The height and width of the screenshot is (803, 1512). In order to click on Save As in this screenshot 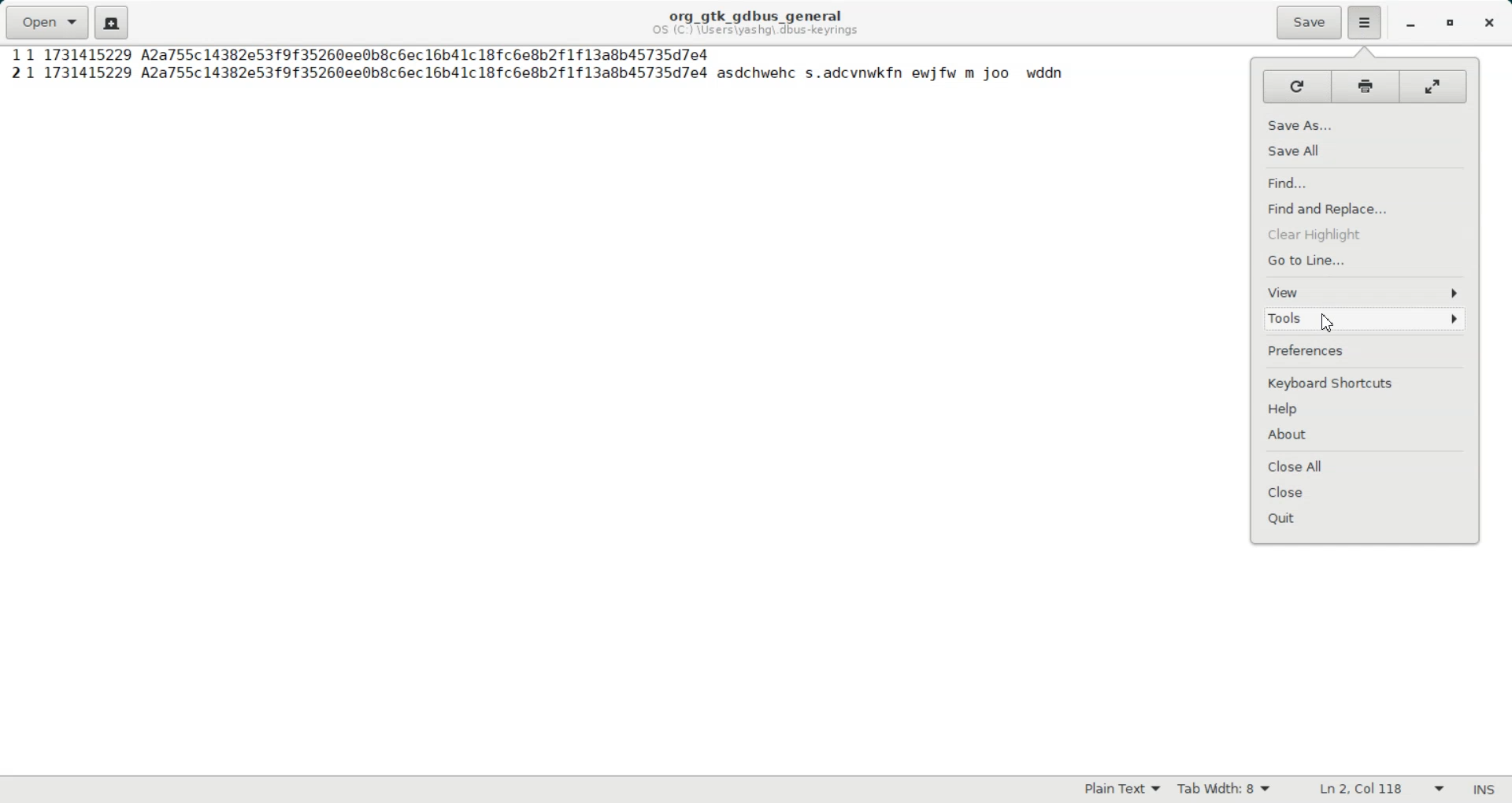, I will do `click(1366, 124)`.